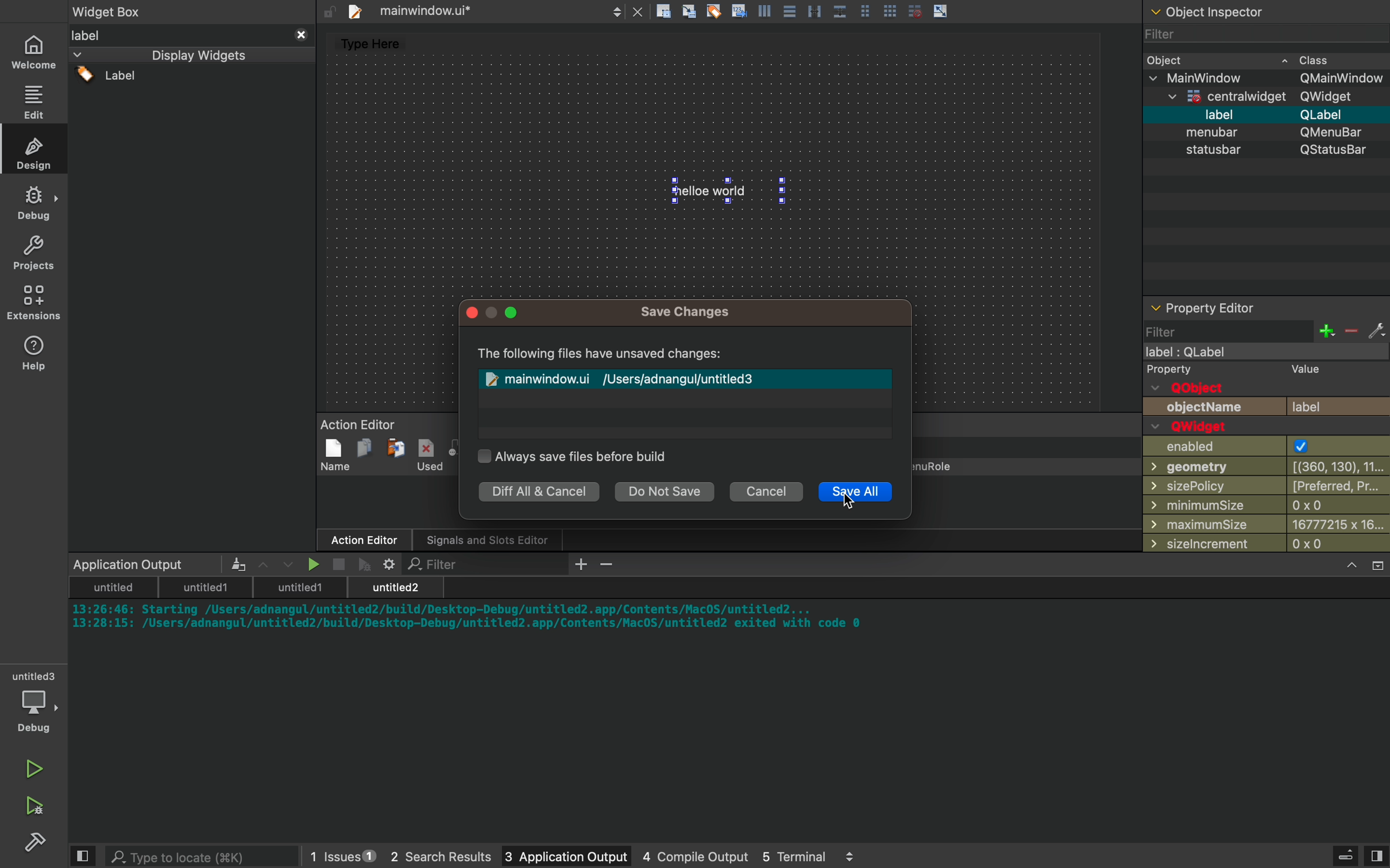  Describe the element at coordinates (540, 491) in the screenshot. I see `diff all` at that location.